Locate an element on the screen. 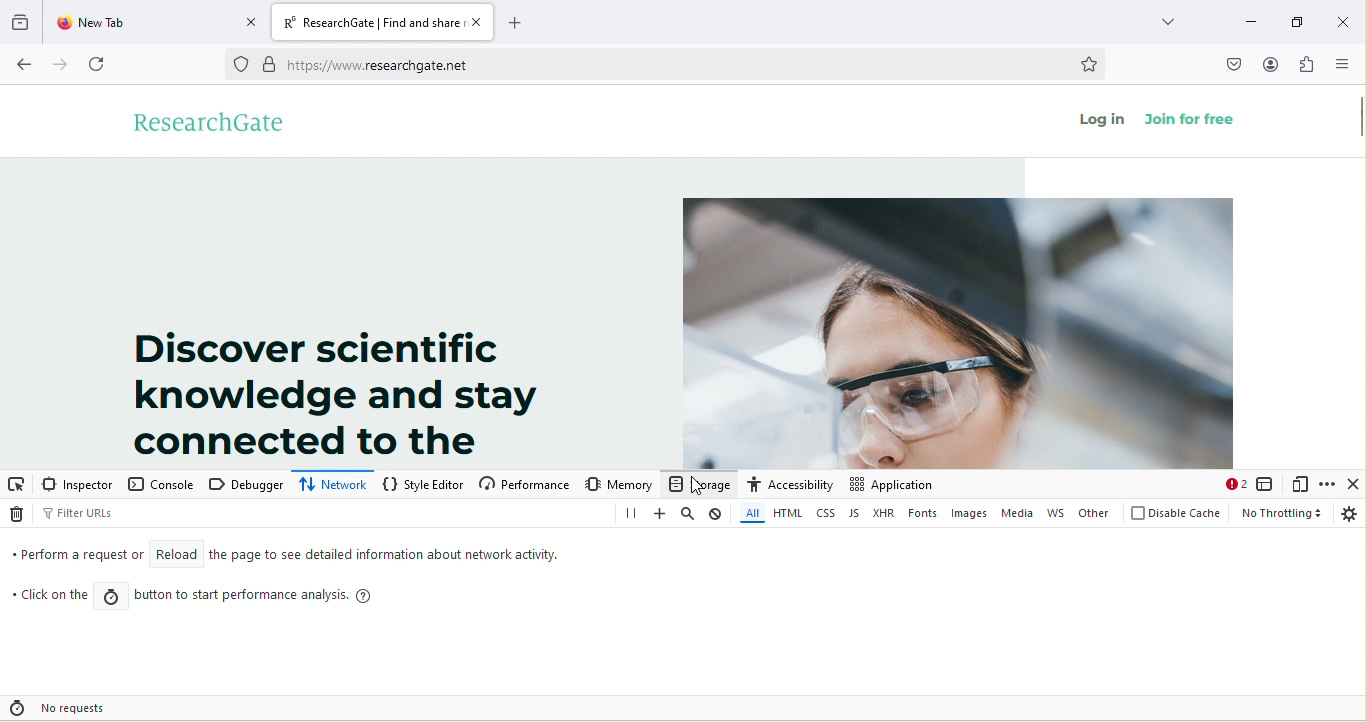  research gate is located at coordinates (202, 122).